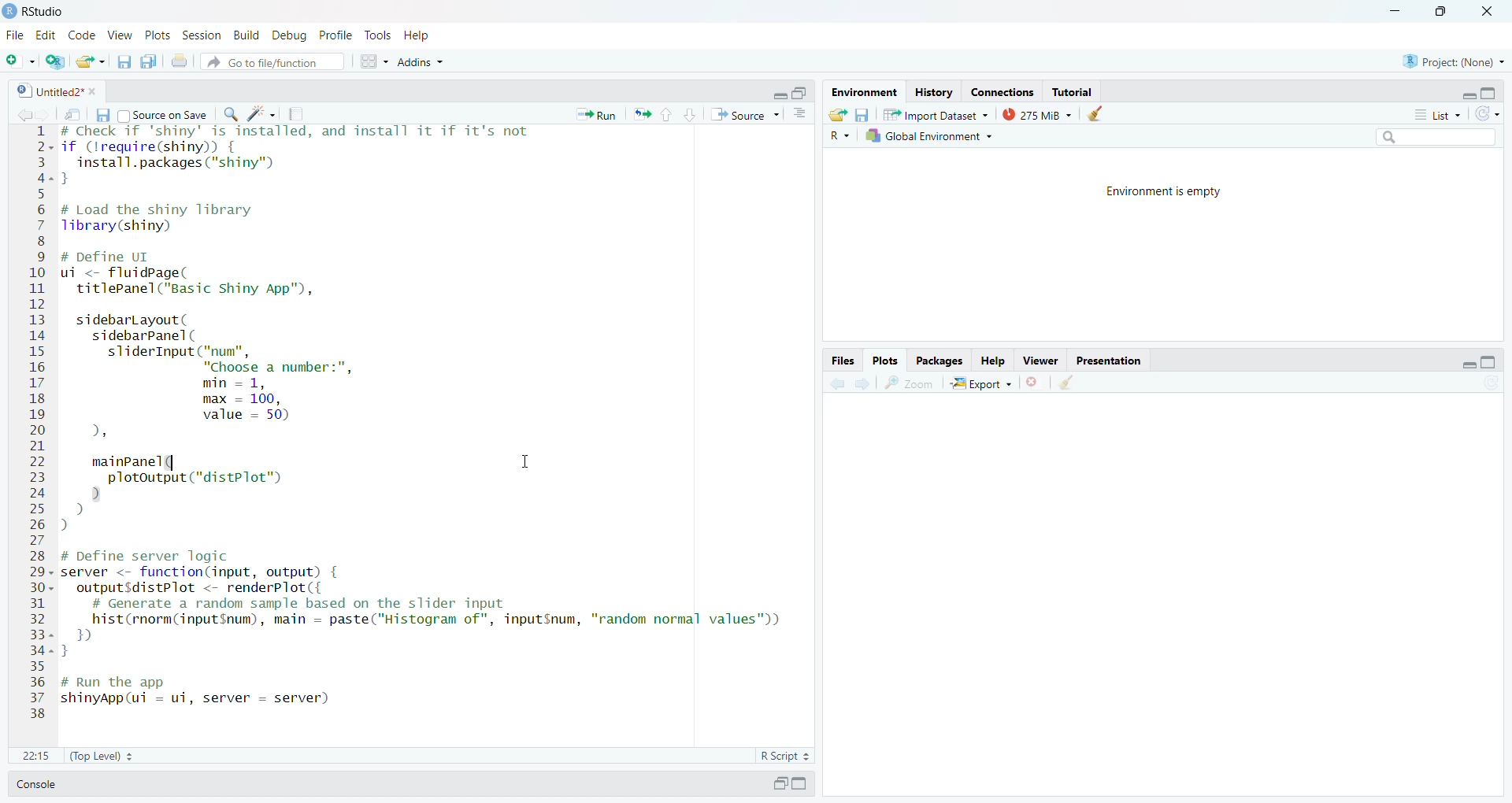 The width and height of the screenshot is (1512, 803). What do you see at coordinates (36, 784) in the screenshot?
I see `Console` at bounding box center [36, 784].